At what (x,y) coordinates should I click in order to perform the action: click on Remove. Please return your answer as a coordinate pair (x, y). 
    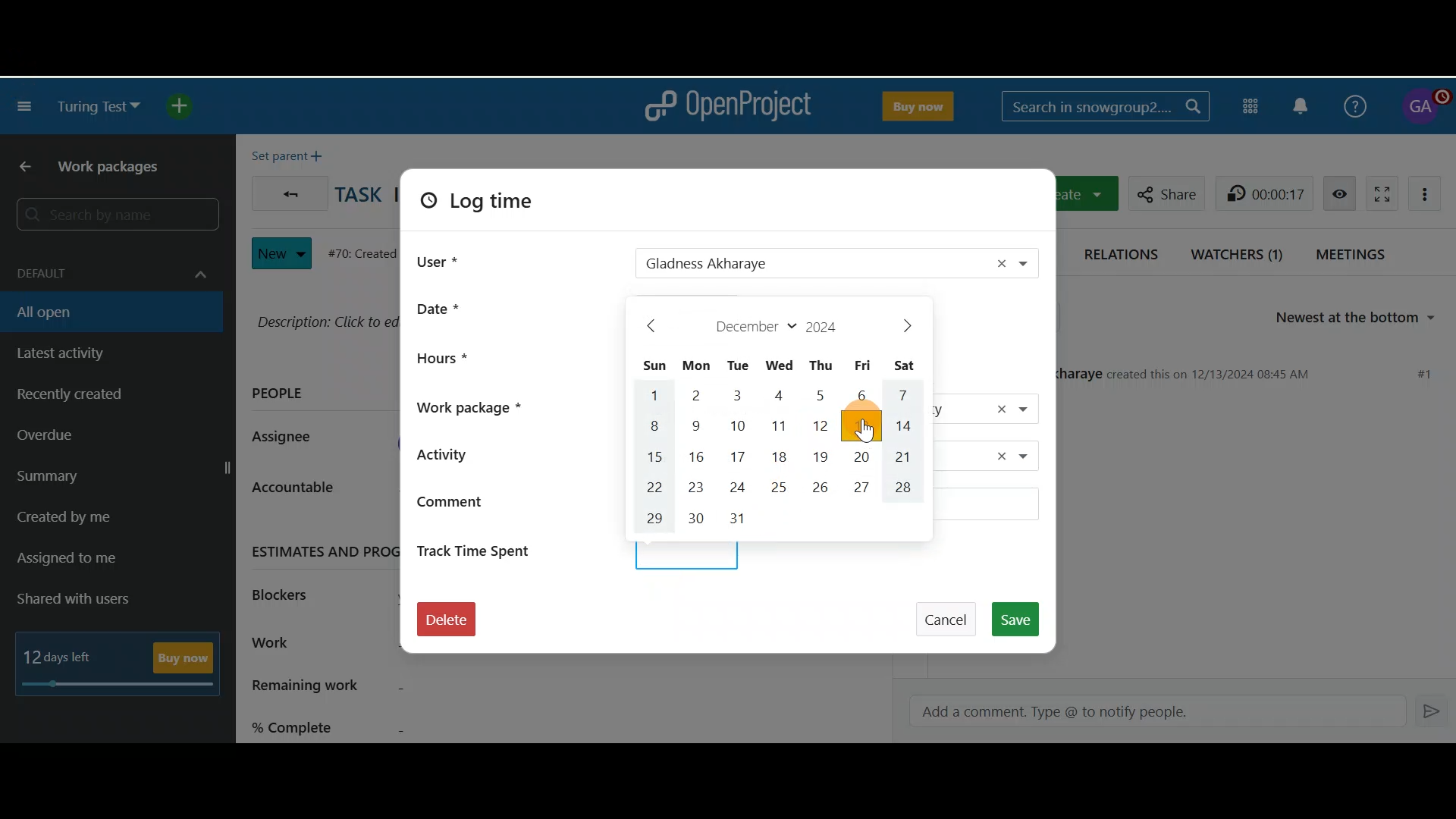
    Looking at the image, I should click on (1000, 262).